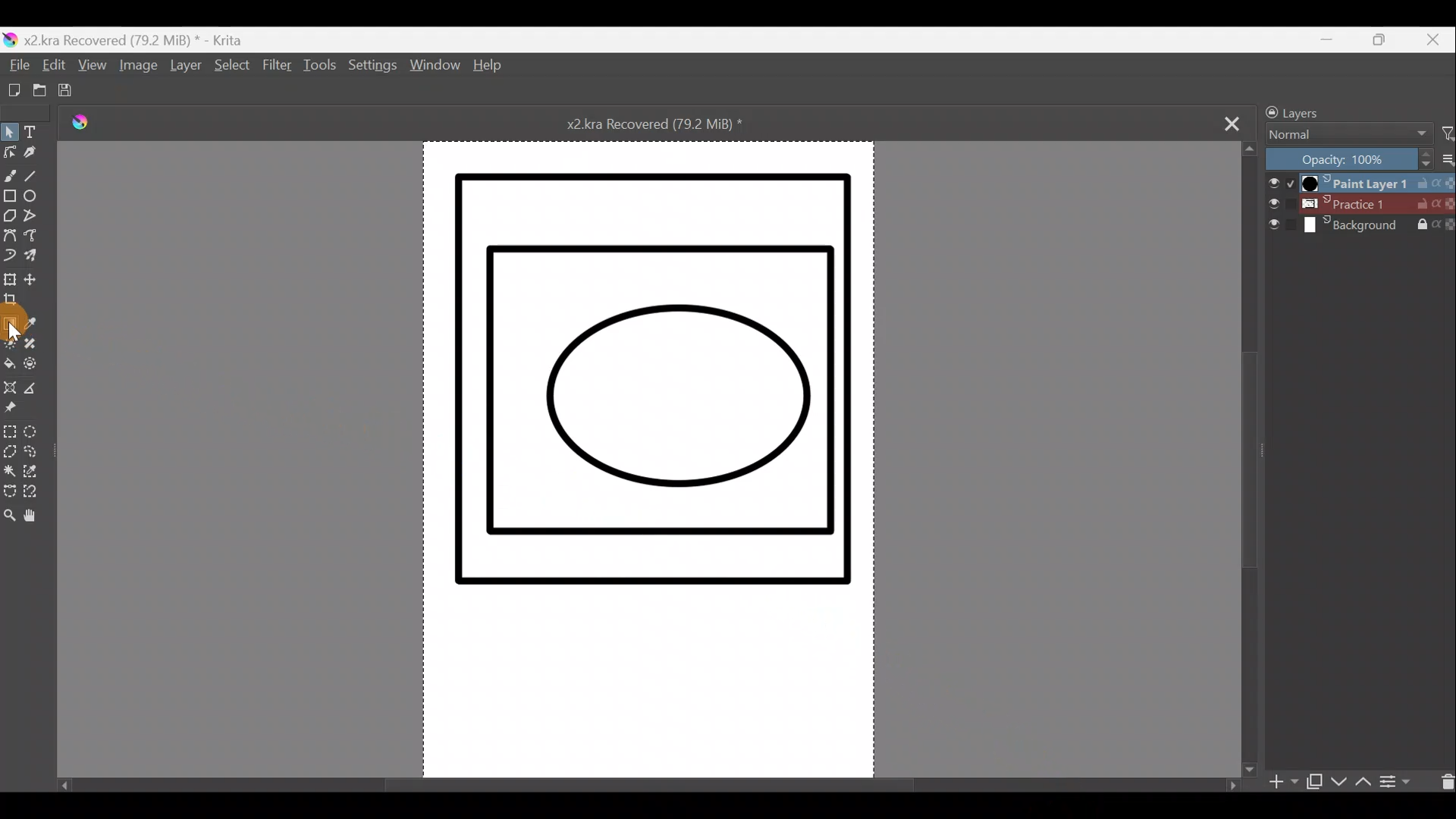 The width and height of the screenshot is (1456, 819). Describe the element at coordinates (277, 73) in the screenshot. I see `Filter` at that location.